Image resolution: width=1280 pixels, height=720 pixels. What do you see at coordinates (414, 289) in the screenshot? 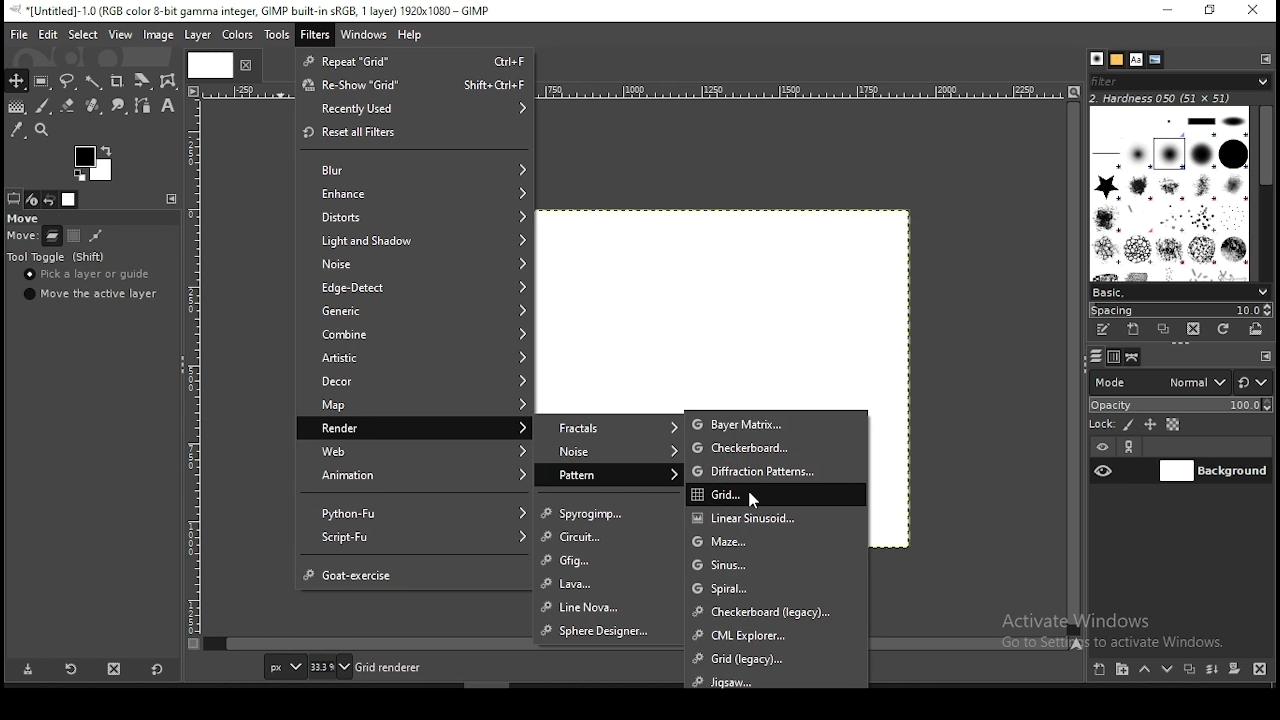
I see `edge detect` at bounding box center [414, 289].